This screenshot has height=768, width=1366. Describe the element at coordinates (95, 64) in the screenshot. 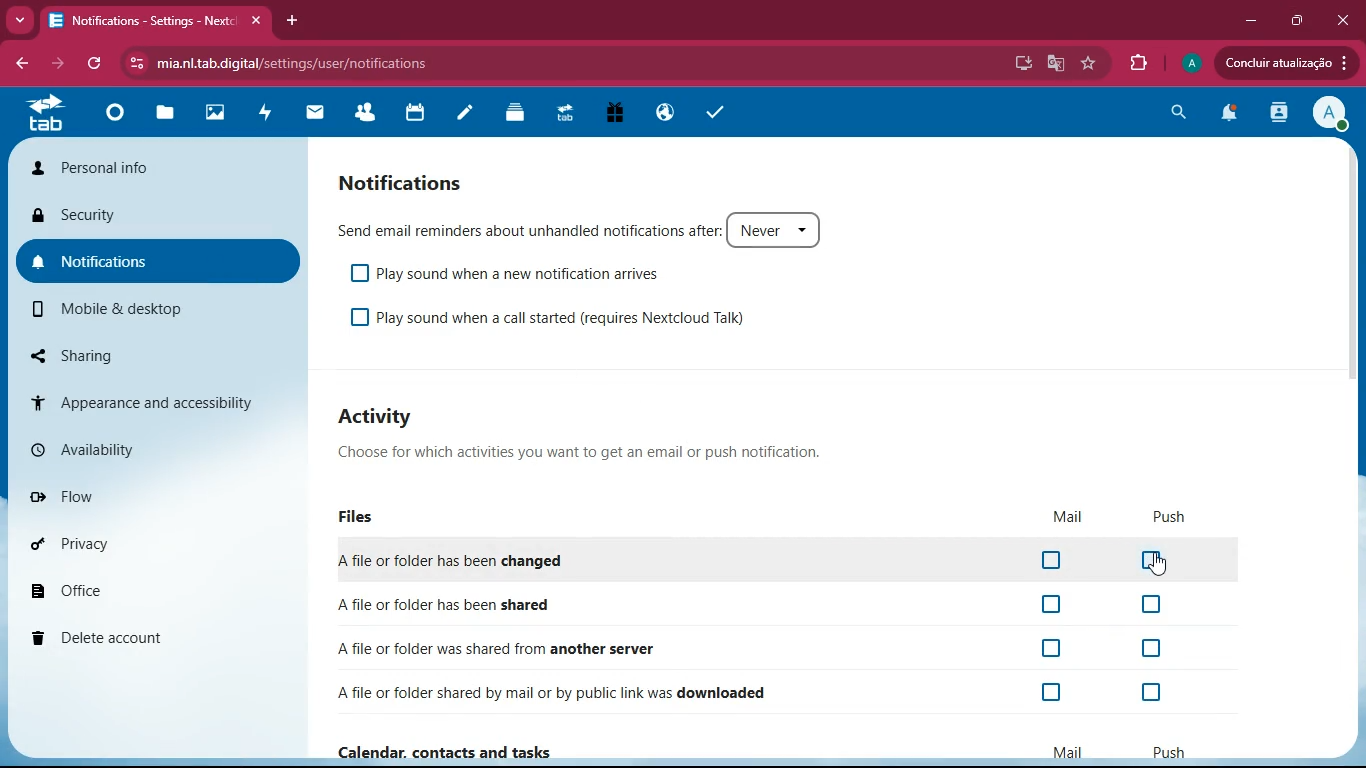

I see `refresh` at that location.